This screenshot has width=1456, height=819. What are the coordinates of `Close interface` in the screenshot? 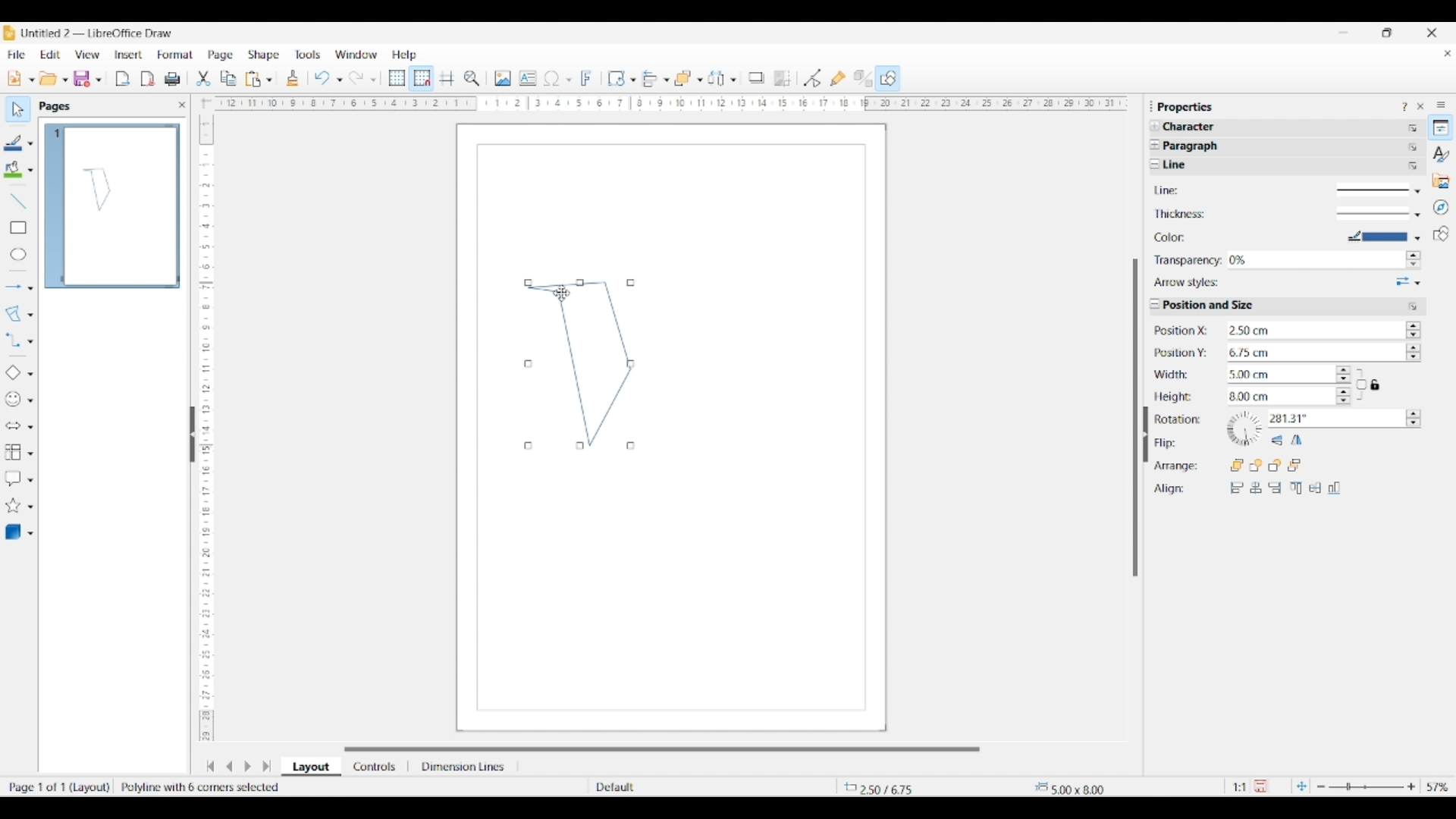 It's located at (1432, 33).